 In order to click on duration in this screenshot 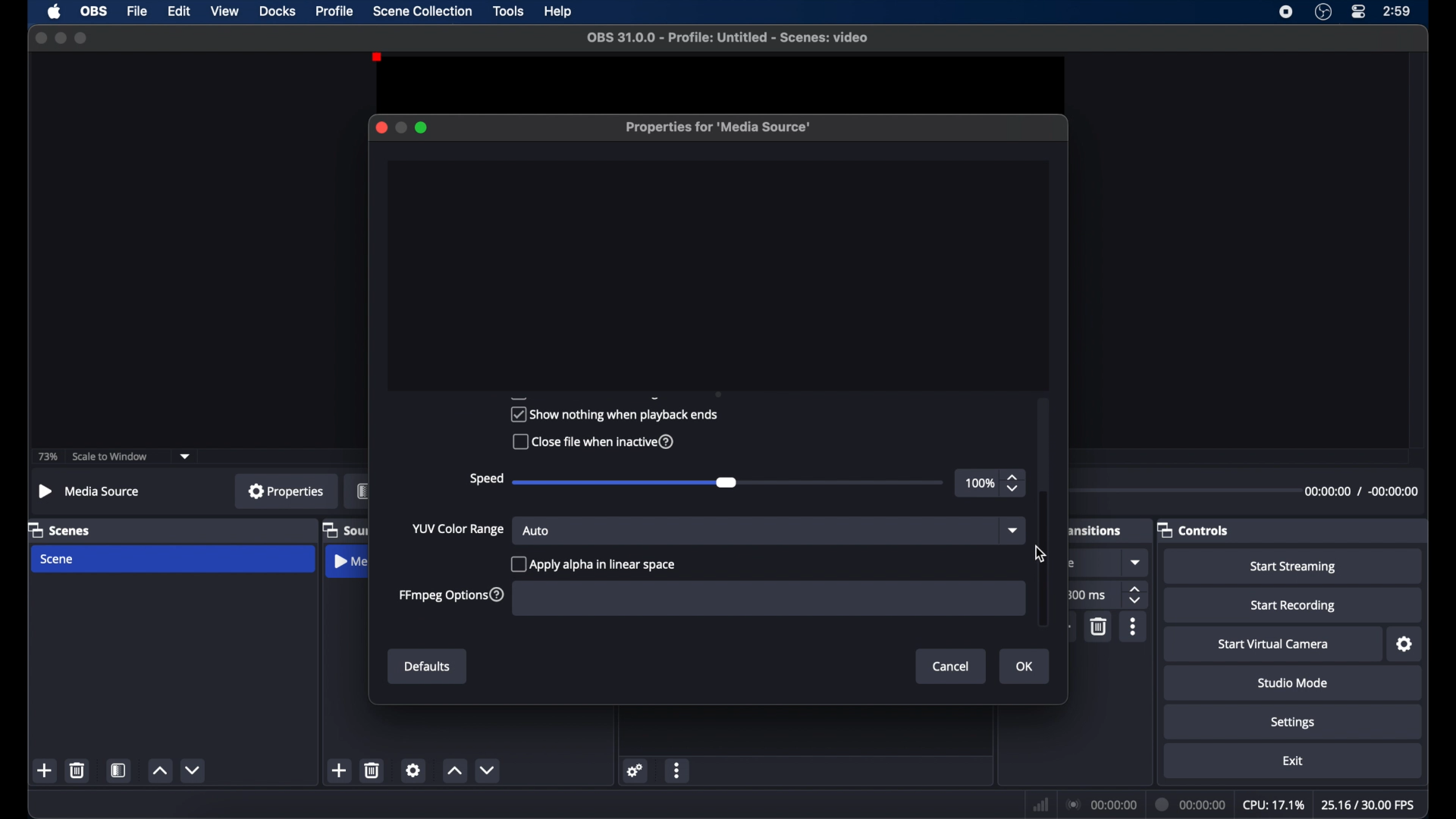, I will do `click(1191, 805)`.